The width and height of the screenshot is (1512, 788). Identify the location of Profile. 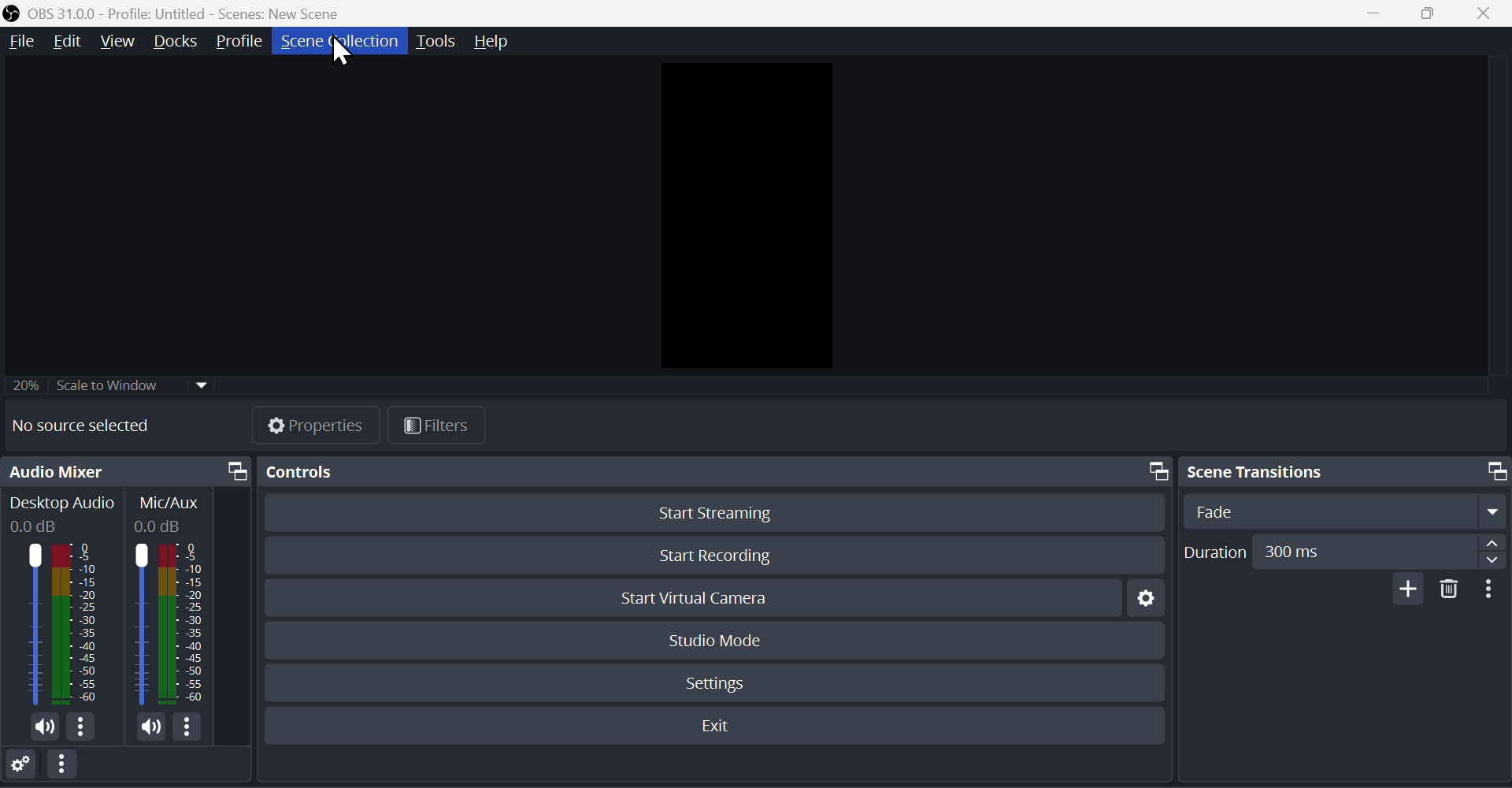
(243, 40).